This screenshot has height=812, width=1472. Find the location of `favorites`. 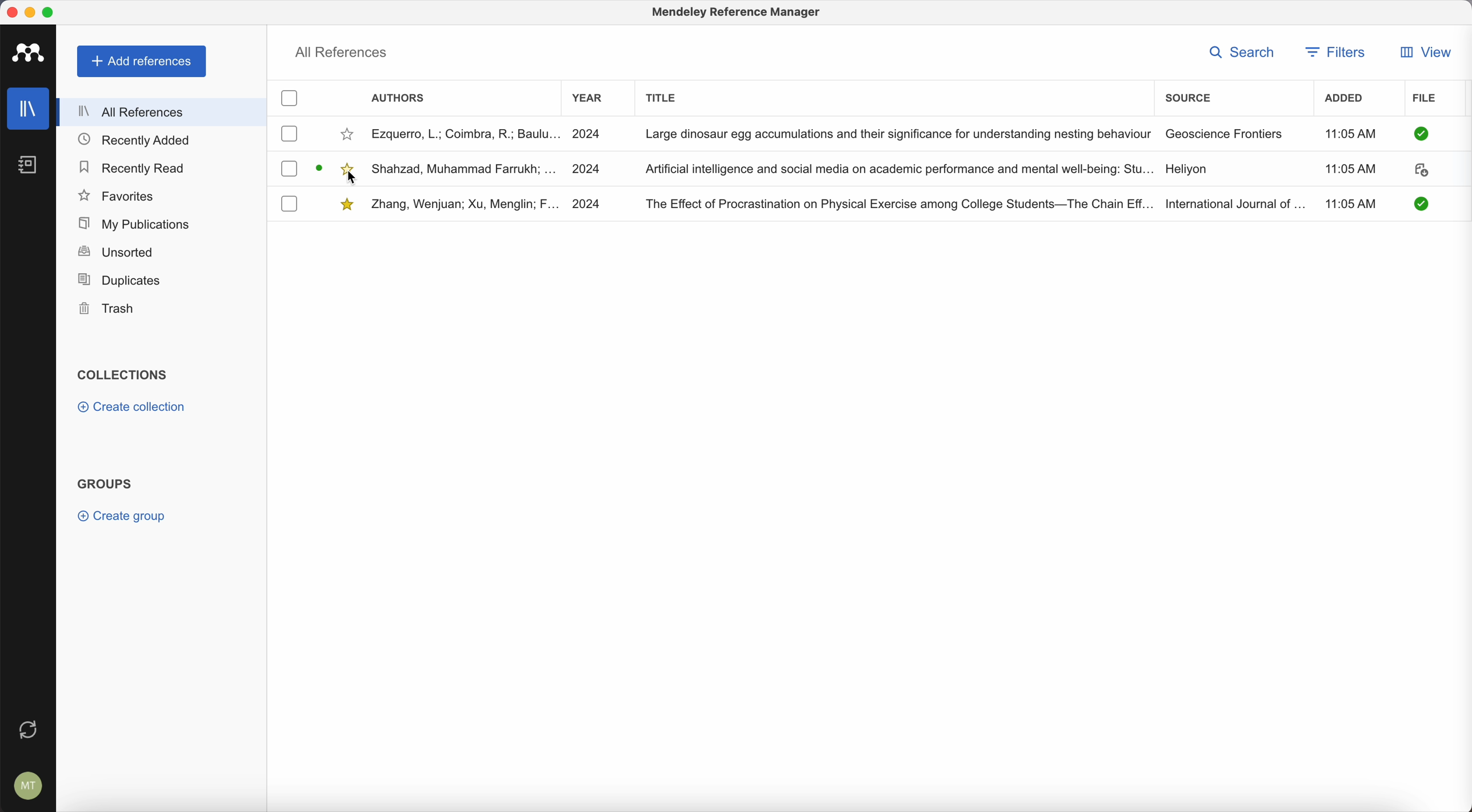

favorites is located at coordinates (118, 195).